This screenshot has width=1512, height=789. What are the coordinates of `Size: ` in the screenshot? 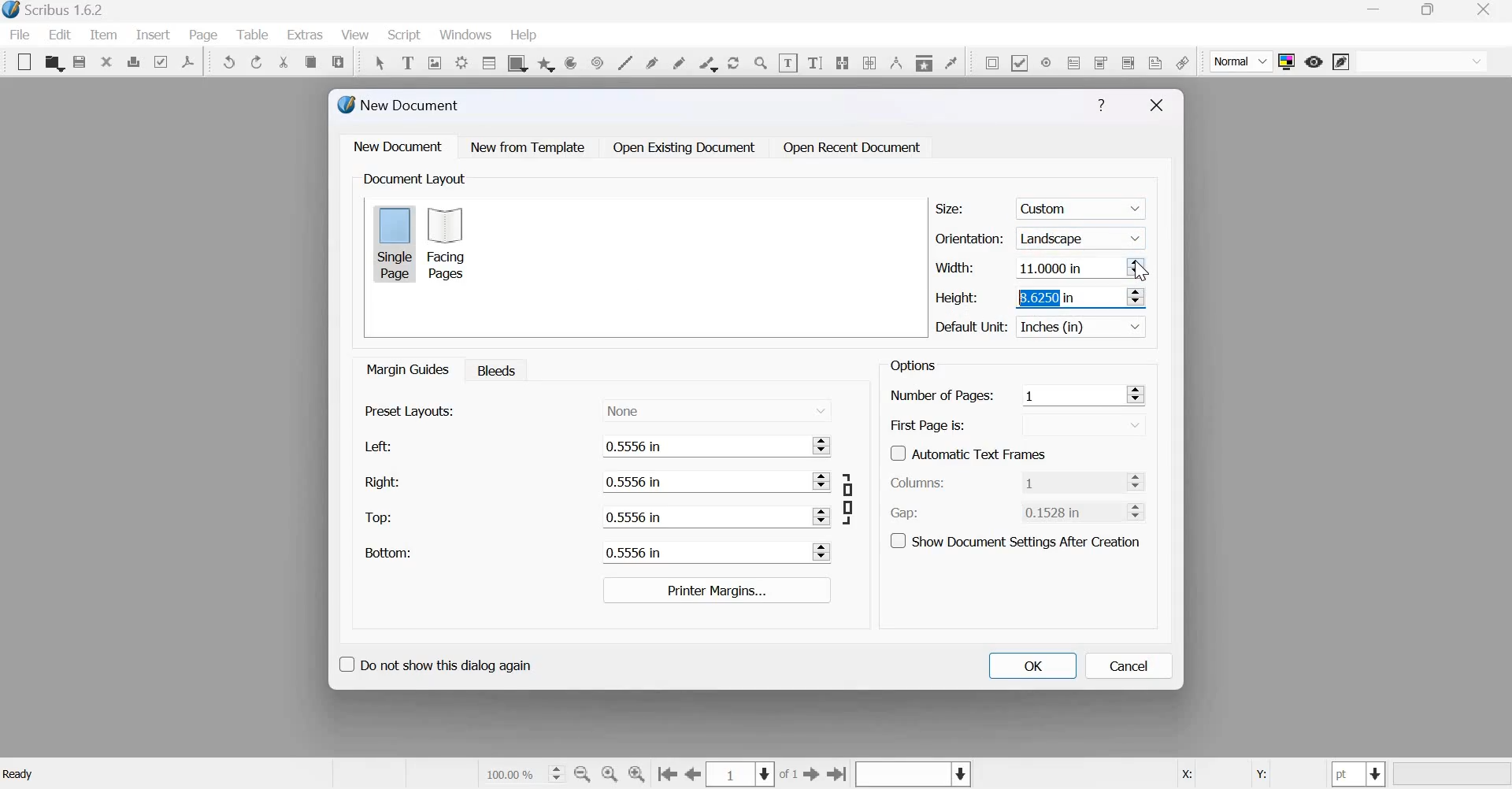 It's located at (950, 209).